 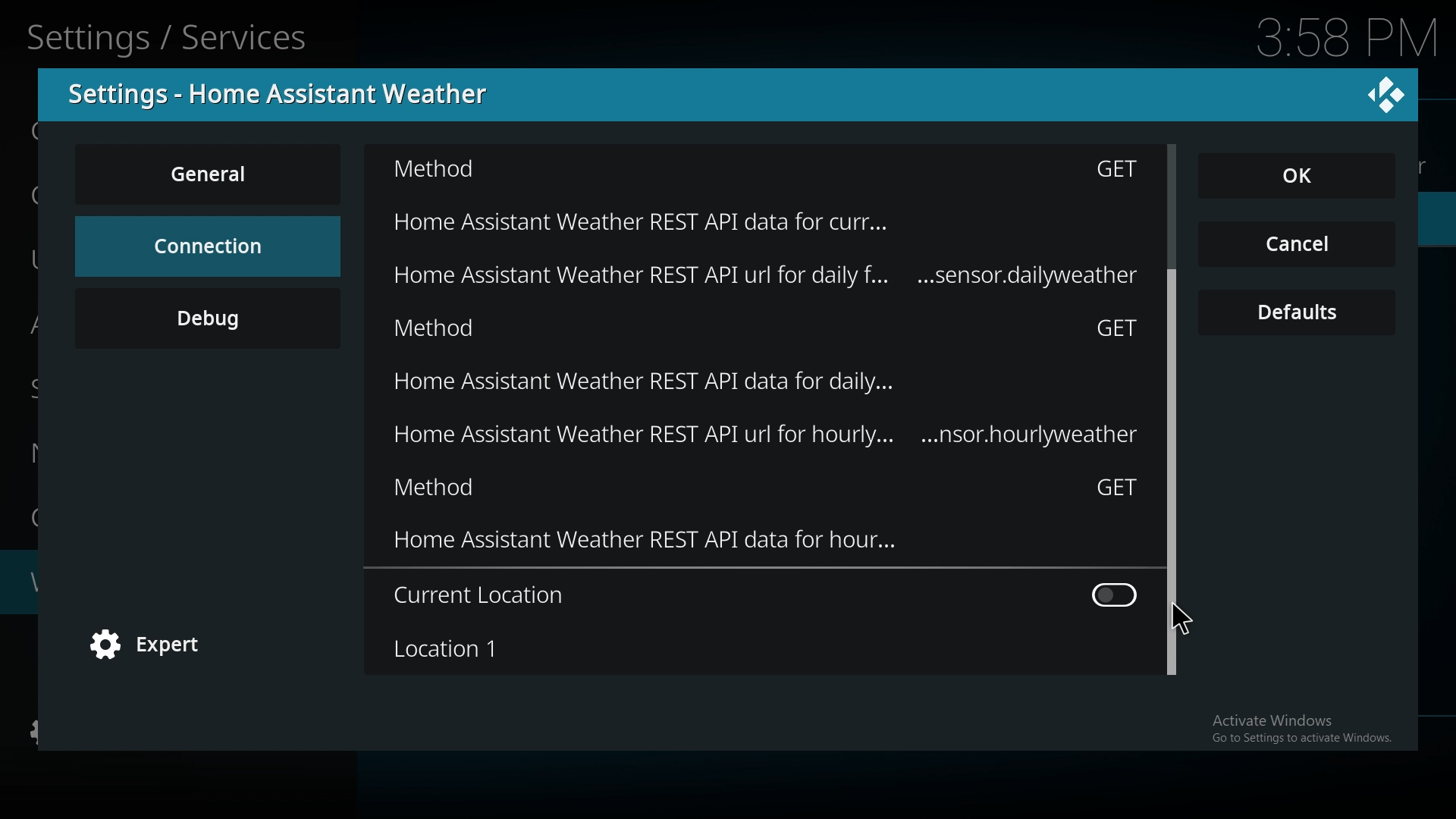 I want to click on scroll bar, so click(x=1169, y=372).